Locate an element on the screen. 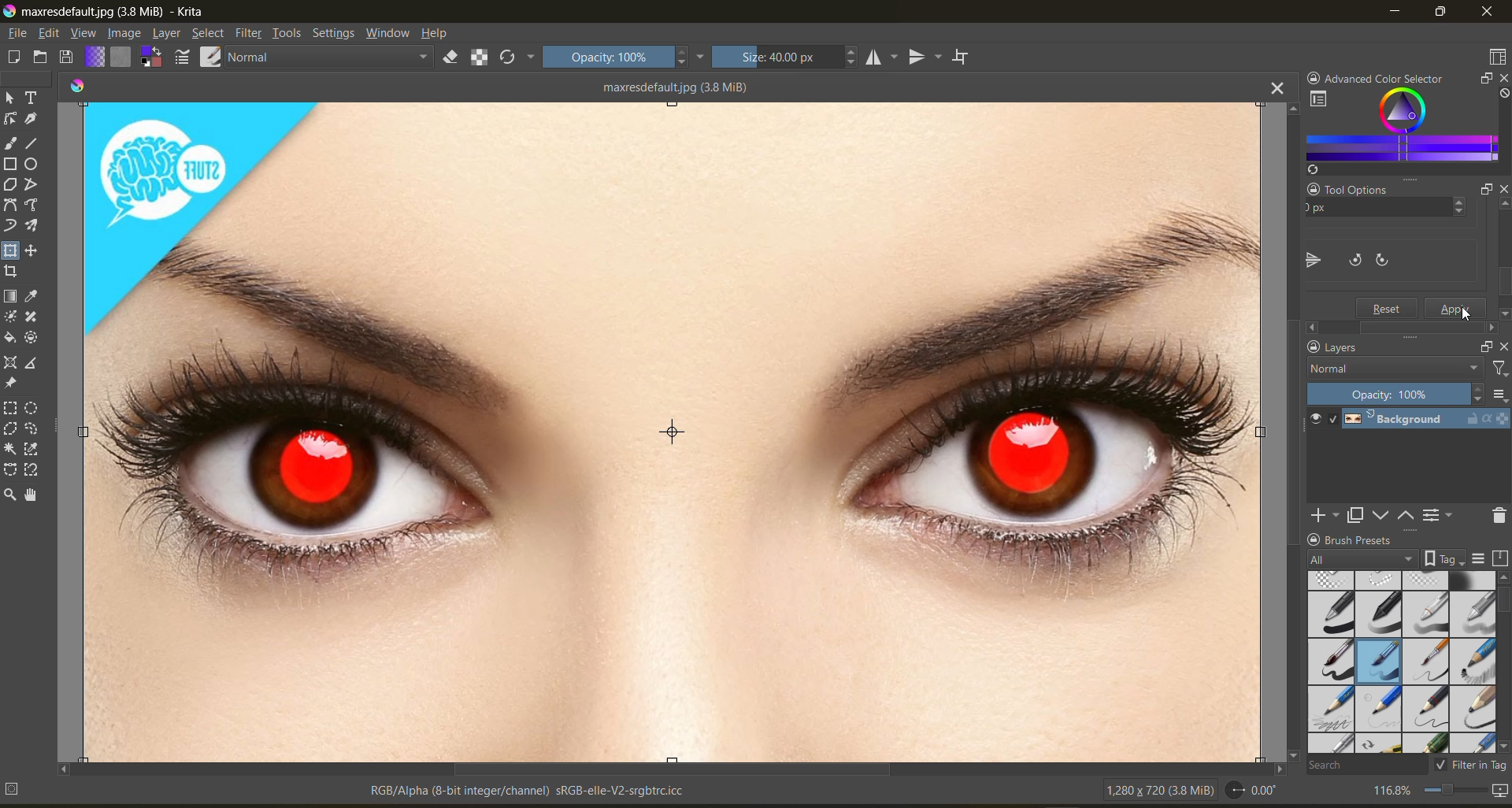 The width and height of the screenshot is (1512, 808). Tool Options is located at coordinates (1348, 189).